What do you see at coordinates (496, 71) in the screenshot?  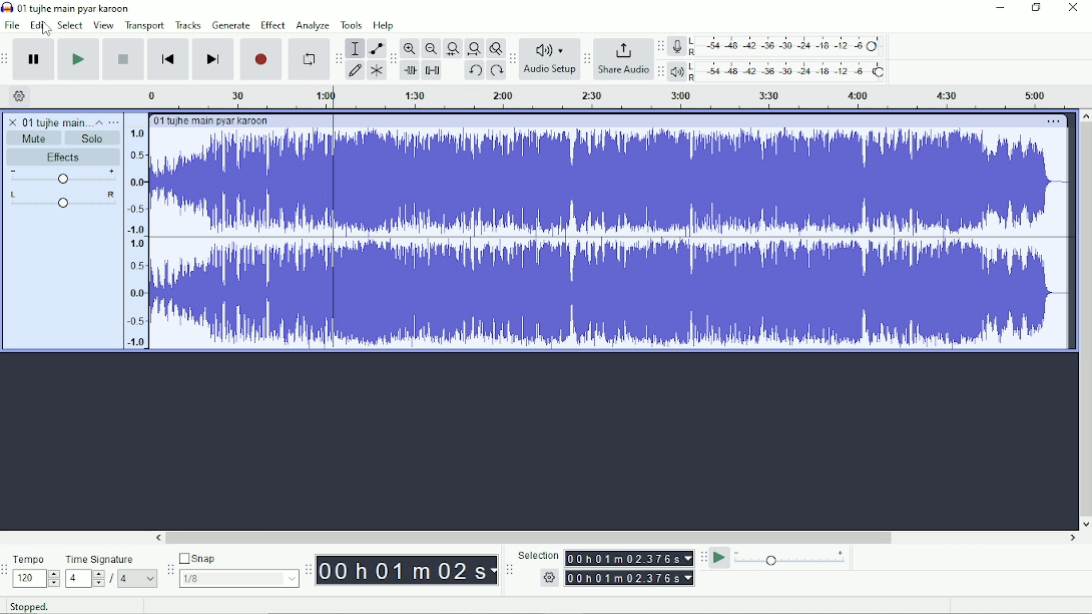 I see `Redo` at bounding box center [496, 71].